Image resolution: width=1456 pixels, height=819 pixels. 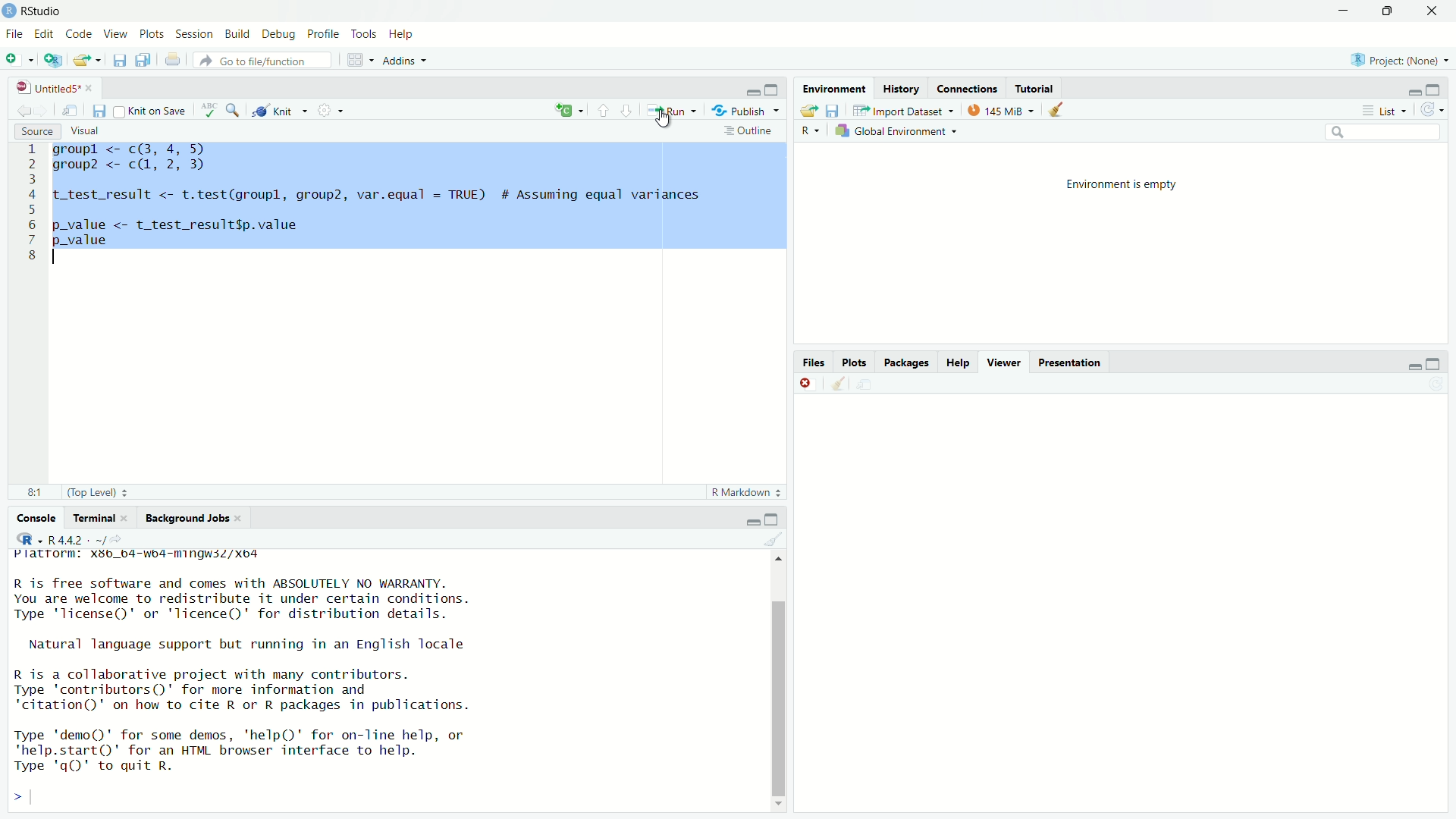 What do you see at coordinates (238, 32) in the screenshot?
I see `Build` at bounding box center [238, 32].